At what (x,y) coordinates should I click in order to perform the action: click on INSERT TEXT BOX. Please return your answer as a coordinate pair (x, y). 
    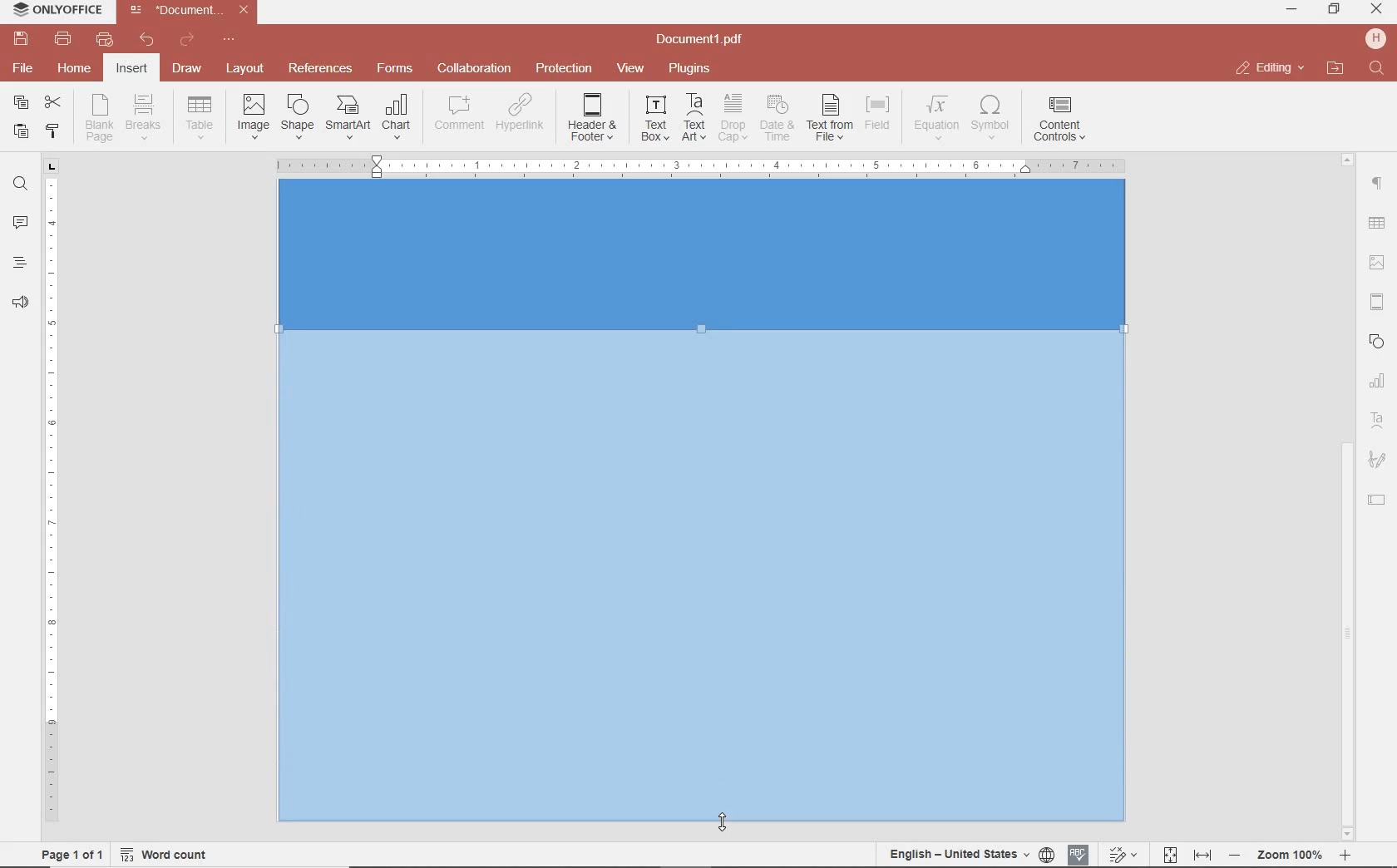
    Looking at the image, I should click on (654, 117).